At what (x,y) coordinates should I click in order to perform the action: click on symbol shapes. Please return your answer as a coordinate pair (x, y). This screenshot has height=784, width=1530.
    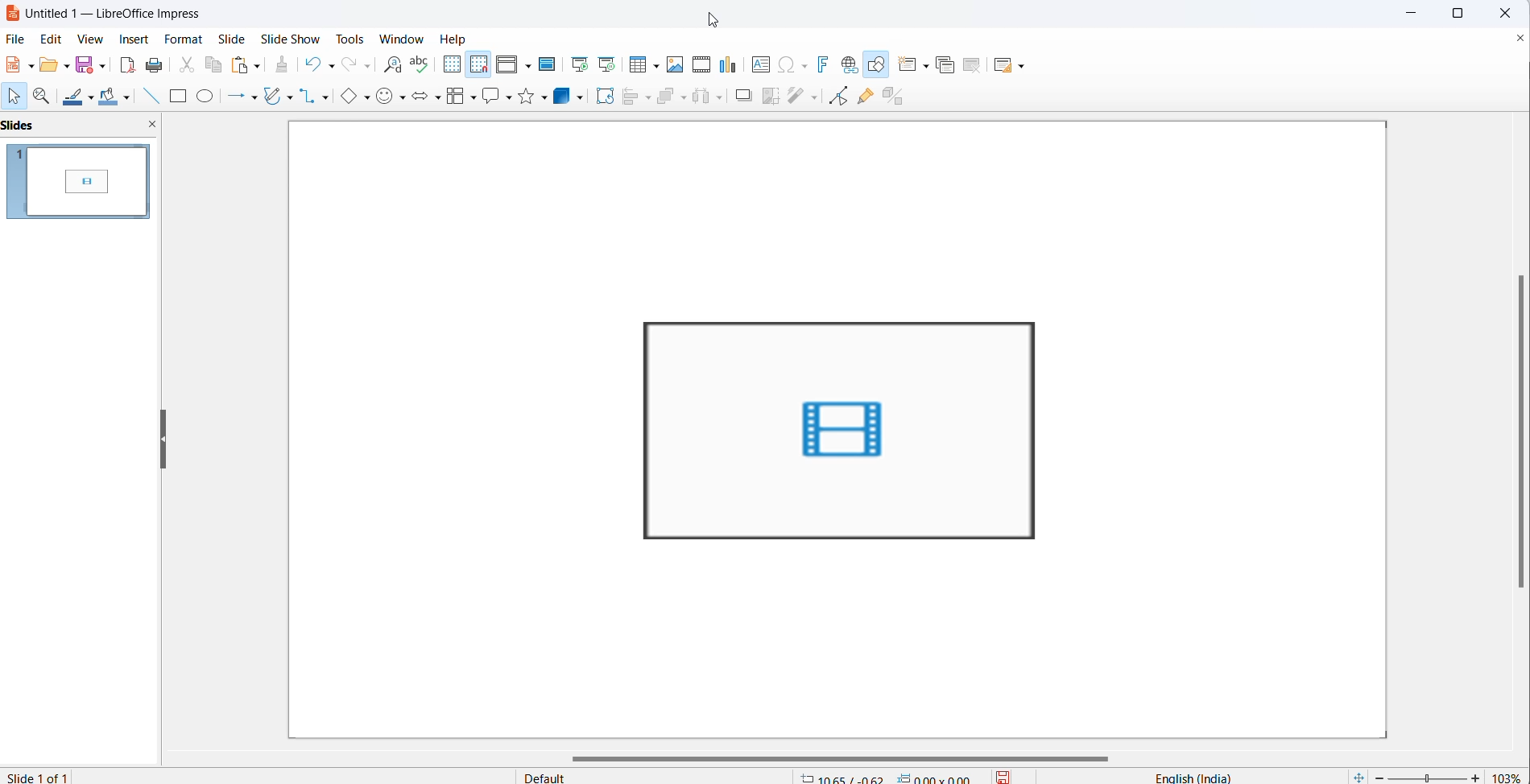
    Looking at the image, I should click on (386, 97).